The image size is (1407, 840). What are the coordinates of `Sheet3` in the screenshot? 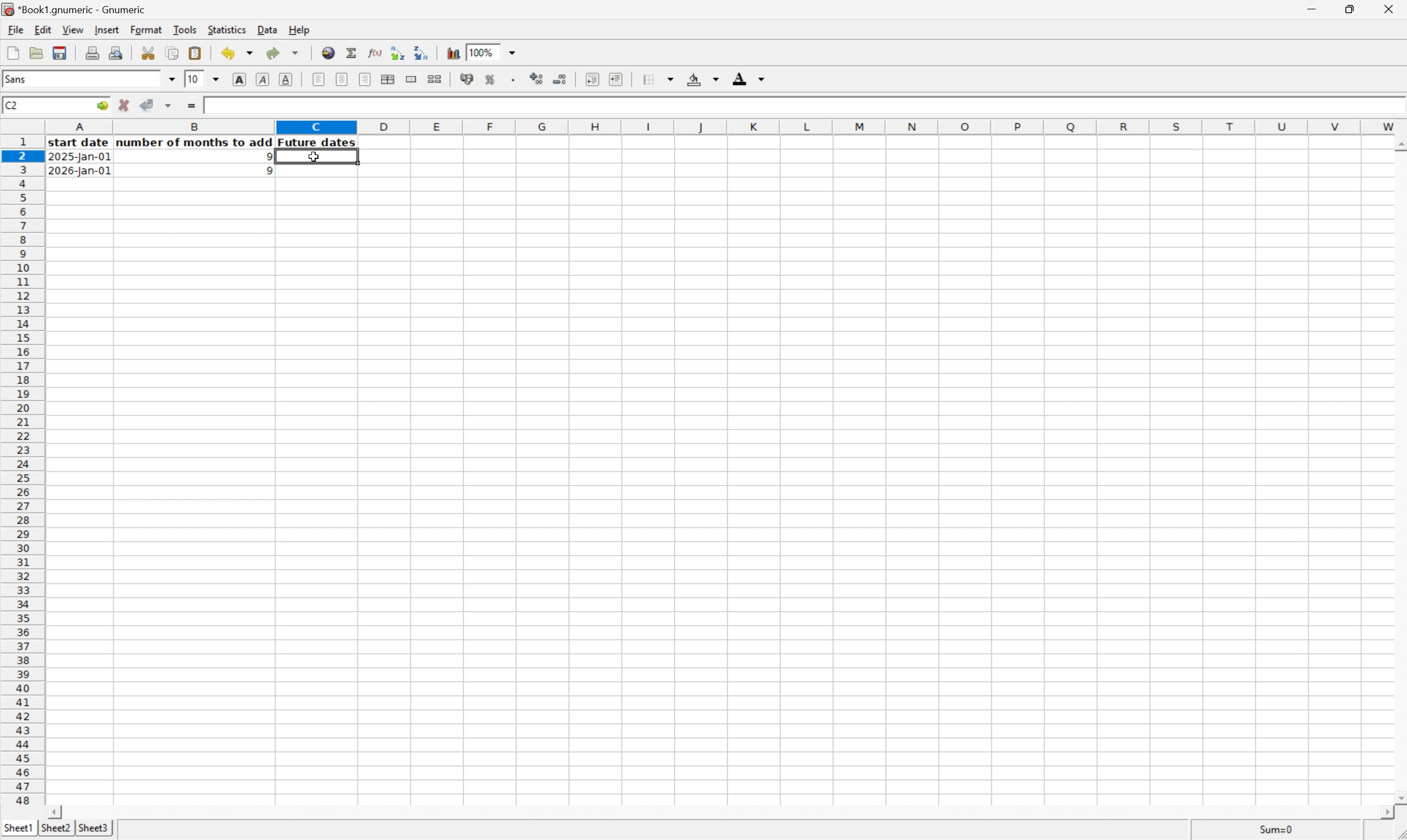 It's located at (95, 829).